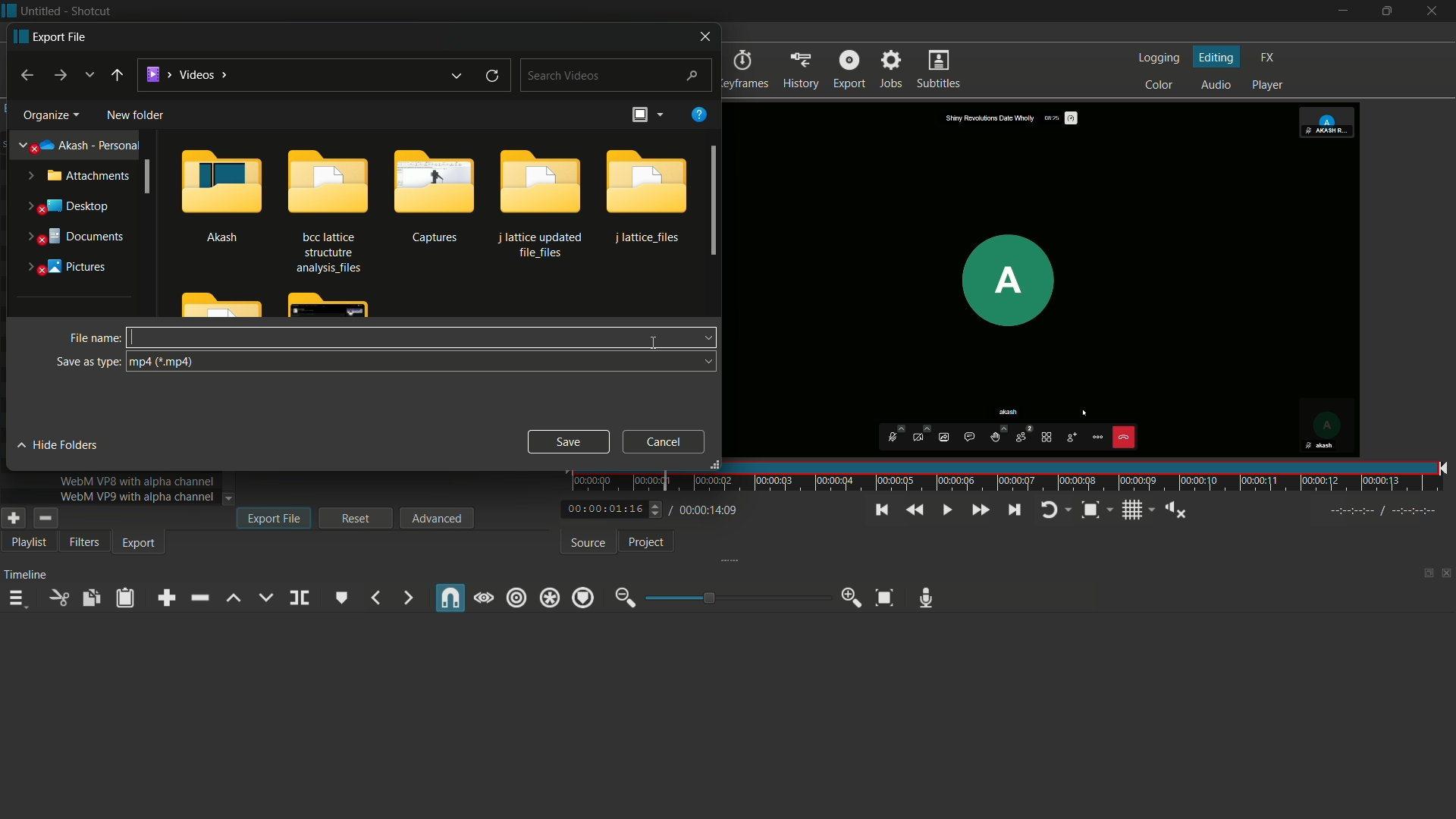  Describe the element at coordinates (880, 510) in the screenshot. I see `skip to the previous point` at that location.